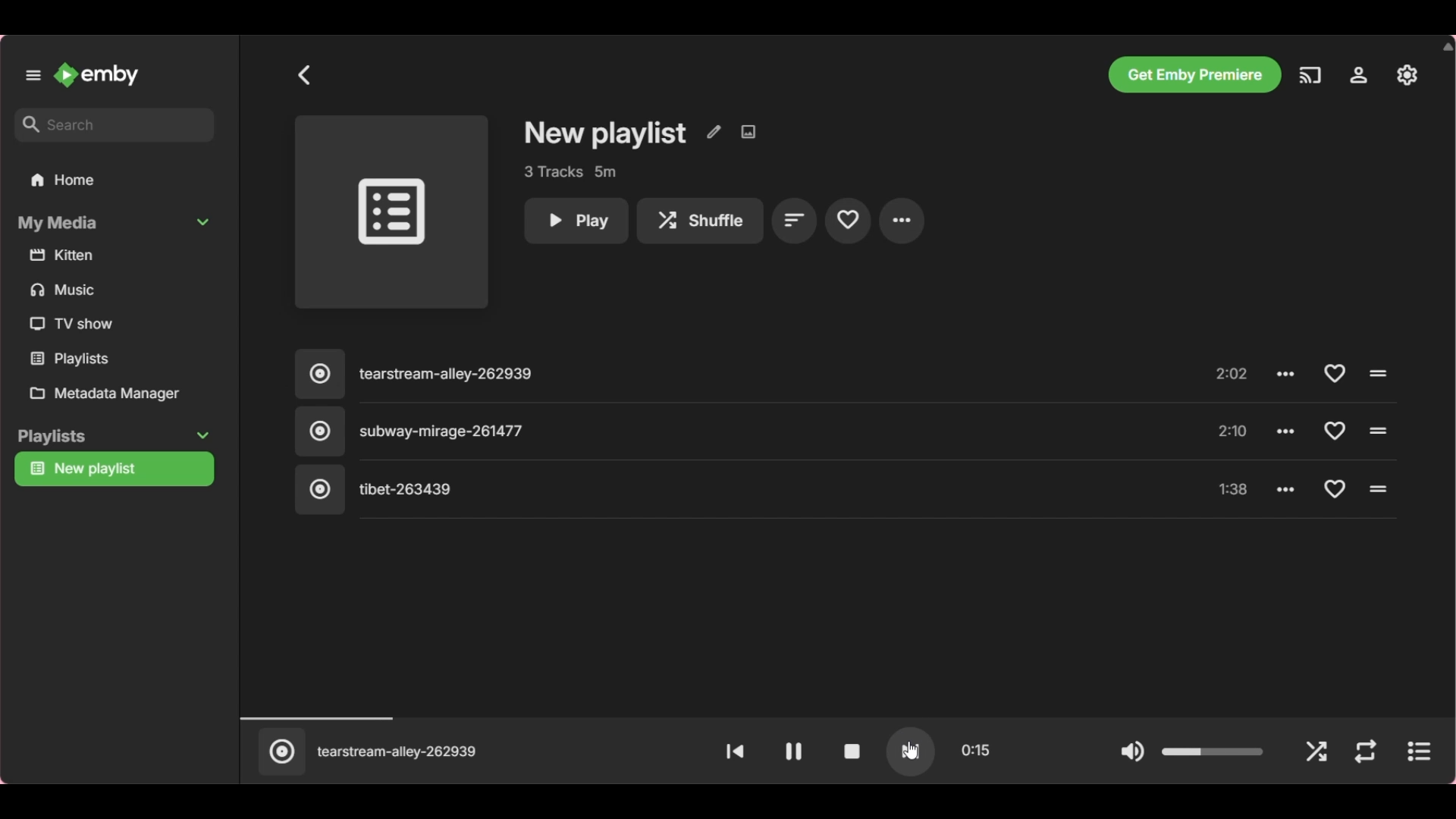  Describe the element at coordinates (853, 751) in the screenshot. I see `Stop` at that location.